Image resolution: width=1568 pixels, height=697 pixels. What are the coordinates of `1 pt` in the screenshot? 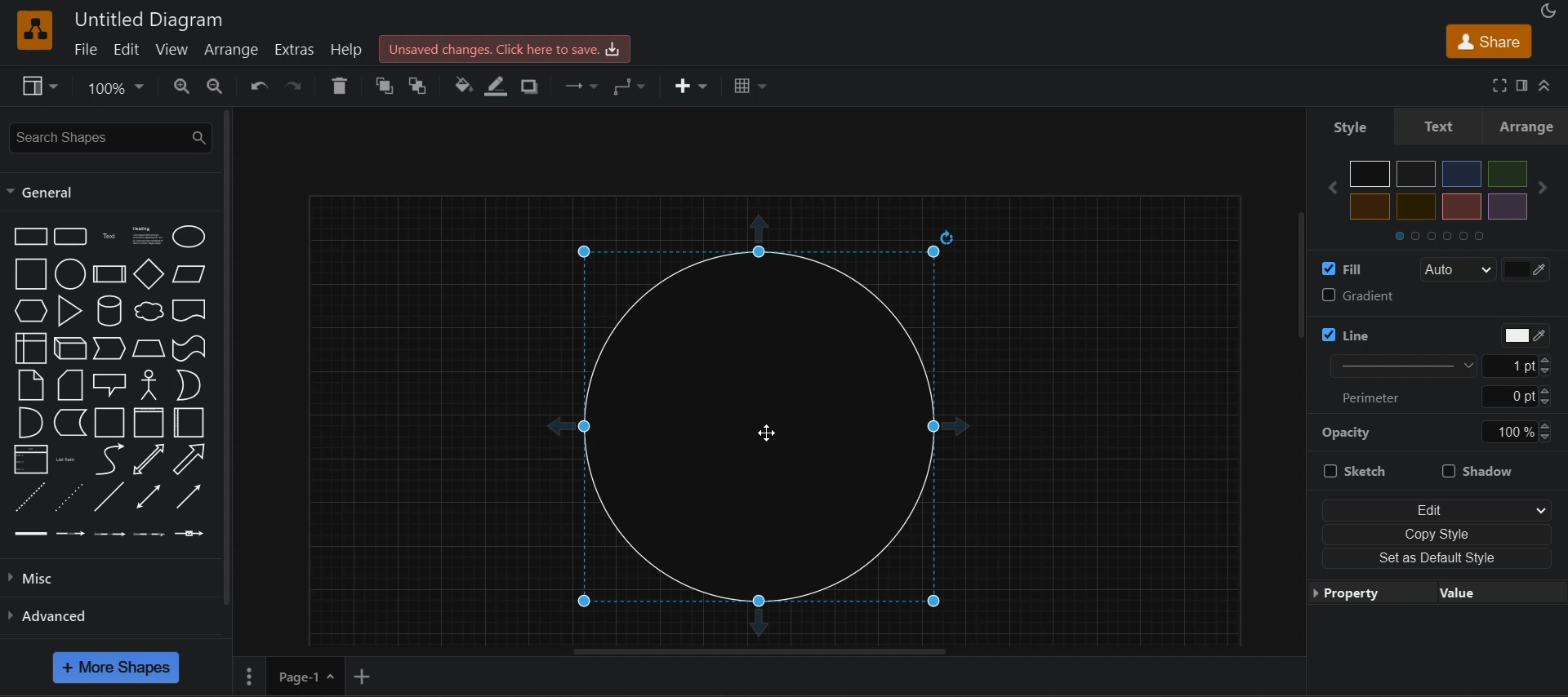 It's located at (1517, 366).